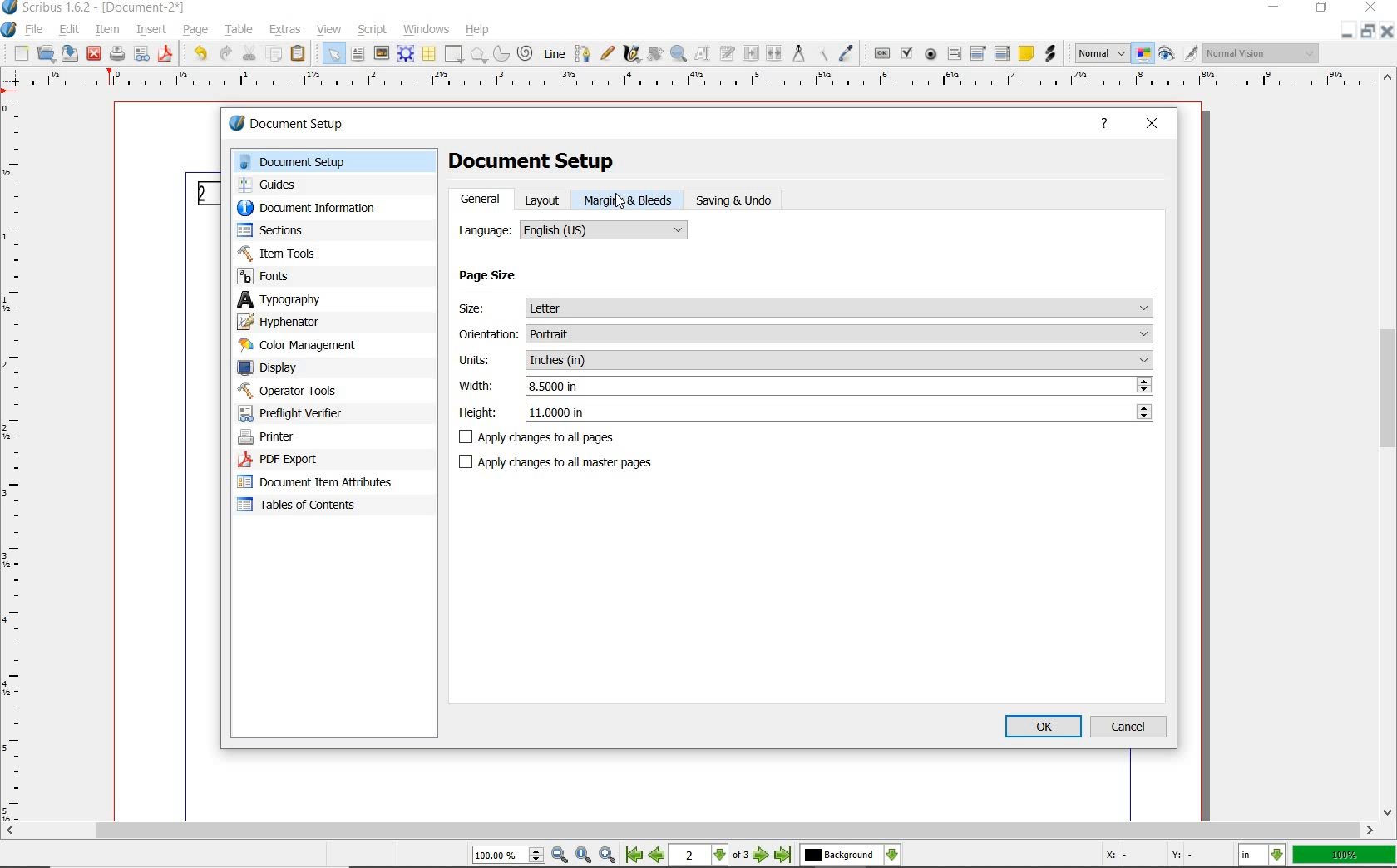 The image size is (1397, 868). I want to click on Height: 11.0000 in, so click(803, 412).